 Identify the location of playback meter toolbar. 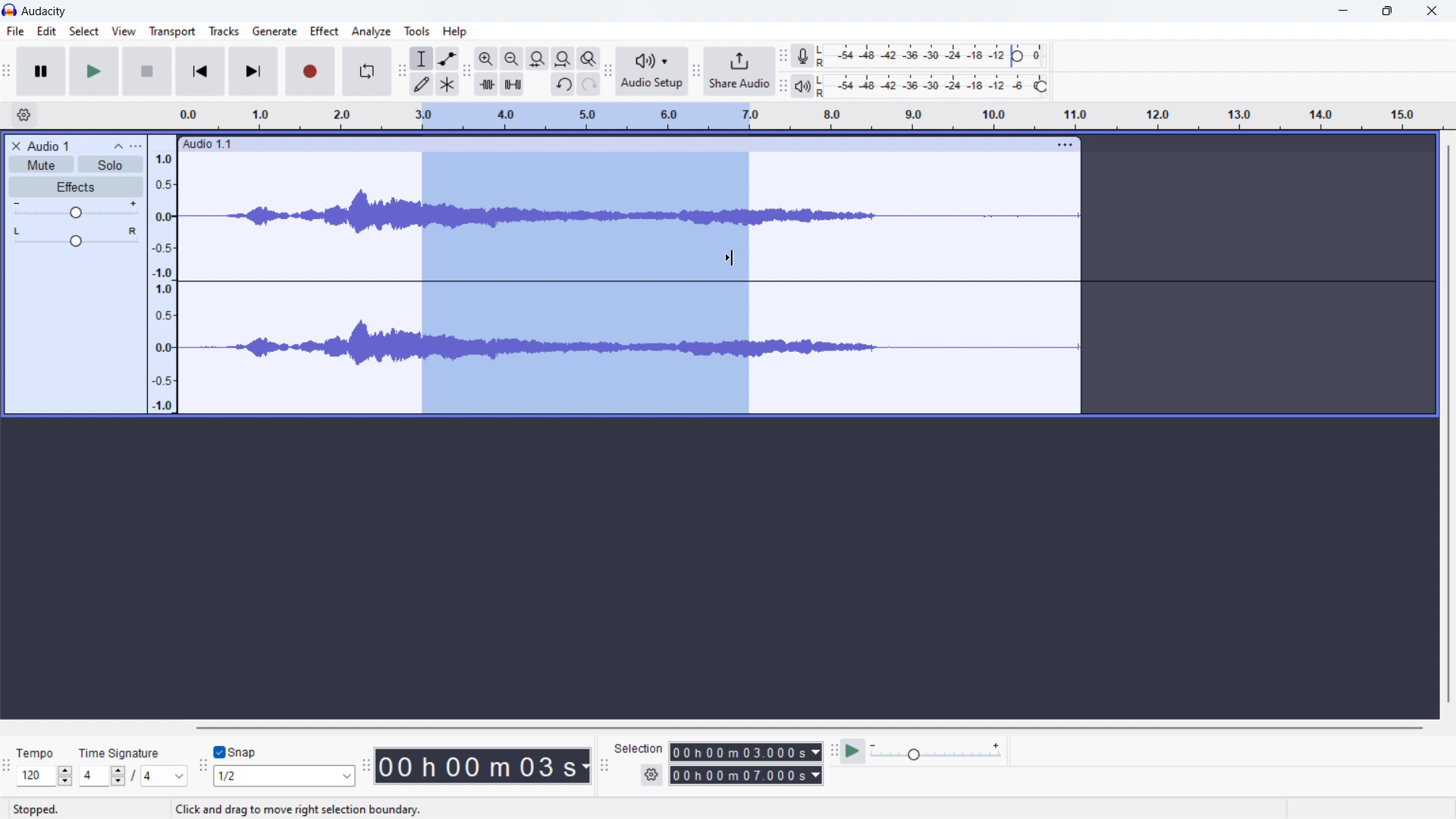
(784, 86).